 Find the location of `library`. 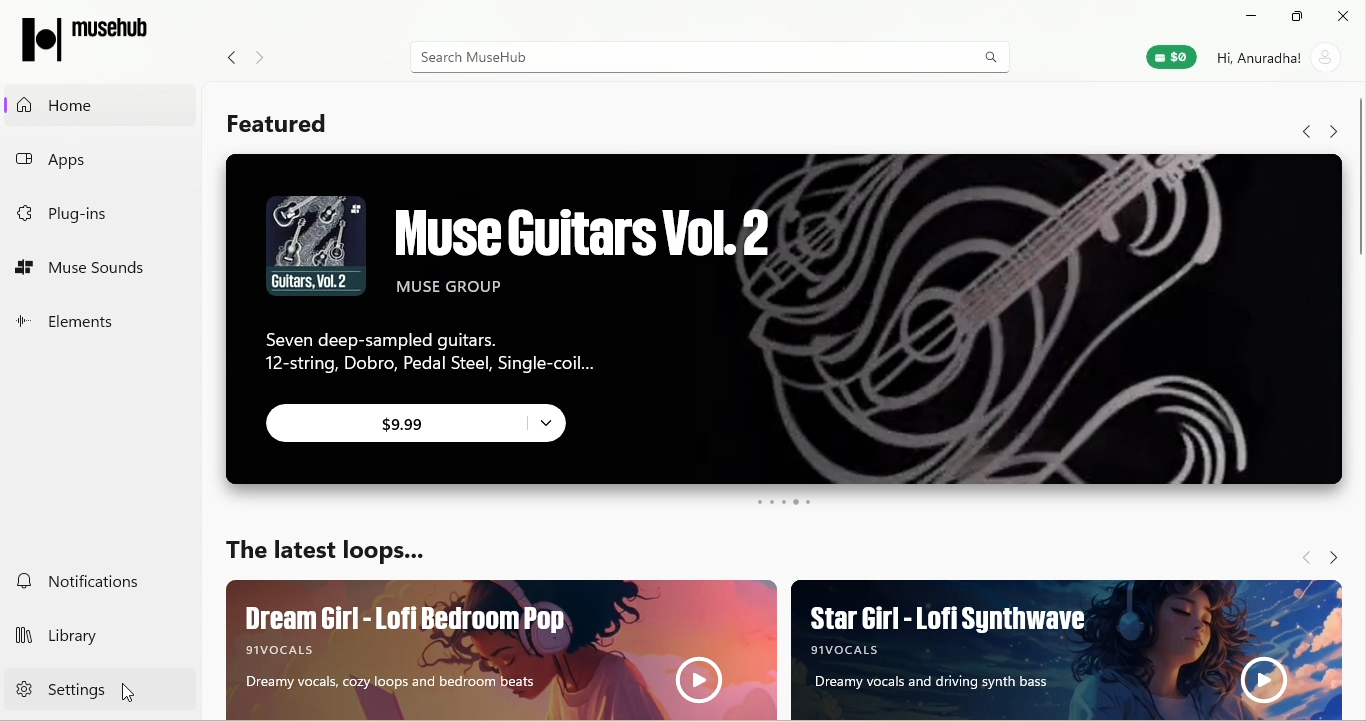

library is located at coordinates (92, 633).